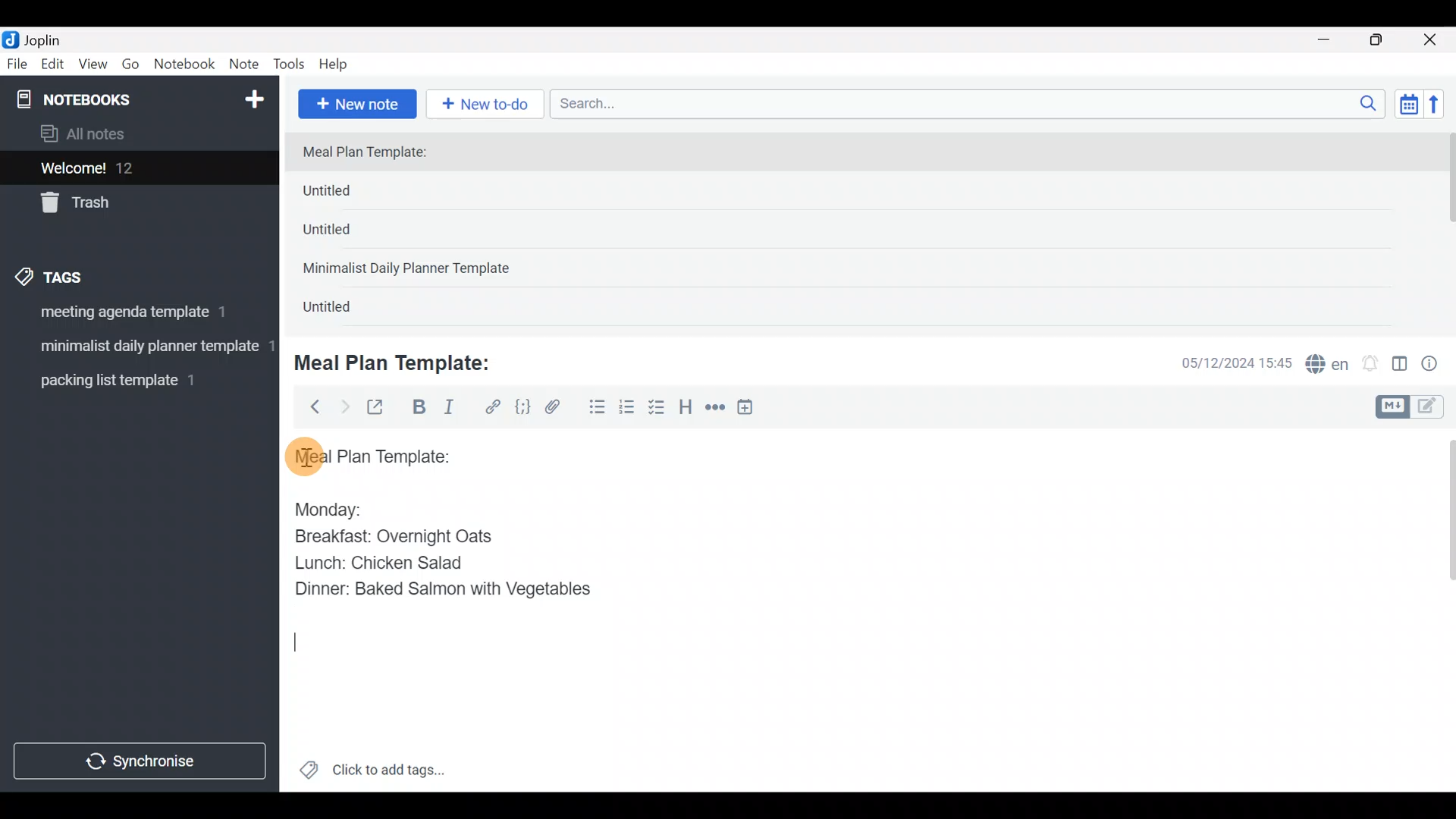  What do you see at coordinates (402, 361) in the screenshot?
I see `Meal Plan Template:` at bounding box center [402, 361].